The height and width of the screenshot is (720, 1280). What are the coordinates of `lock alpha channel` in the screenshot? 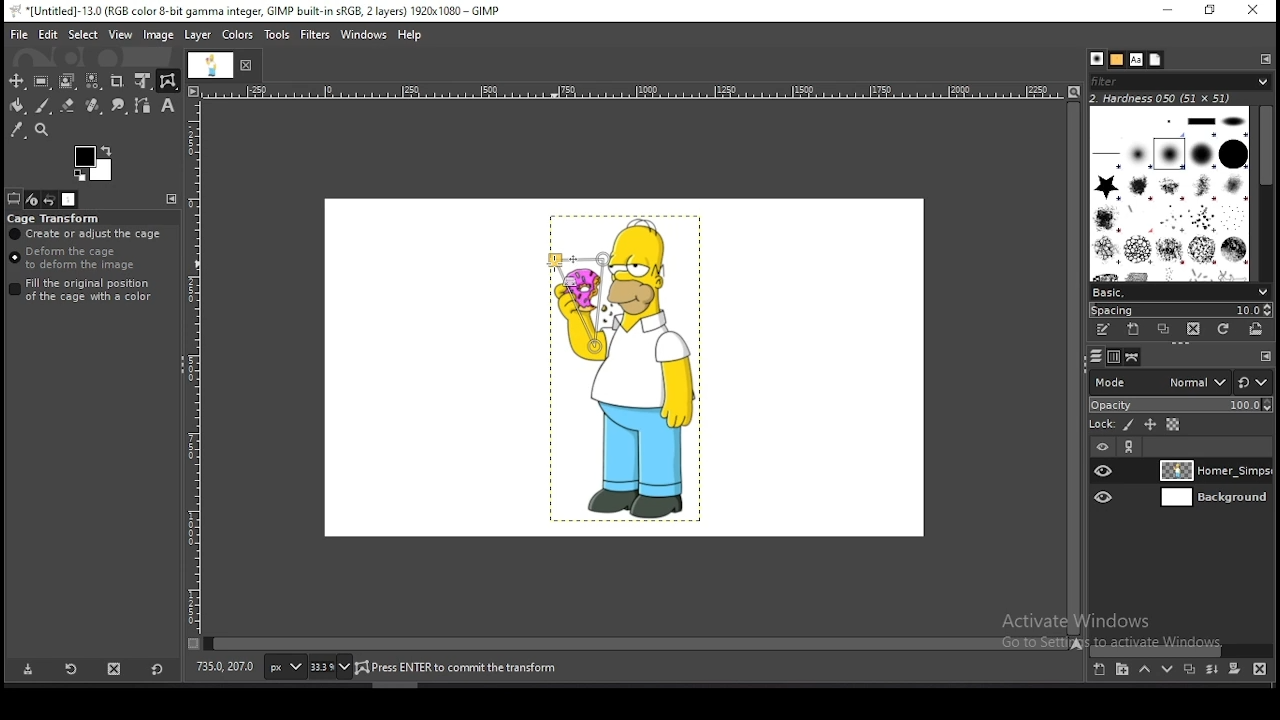 It's located at (1172, 426).